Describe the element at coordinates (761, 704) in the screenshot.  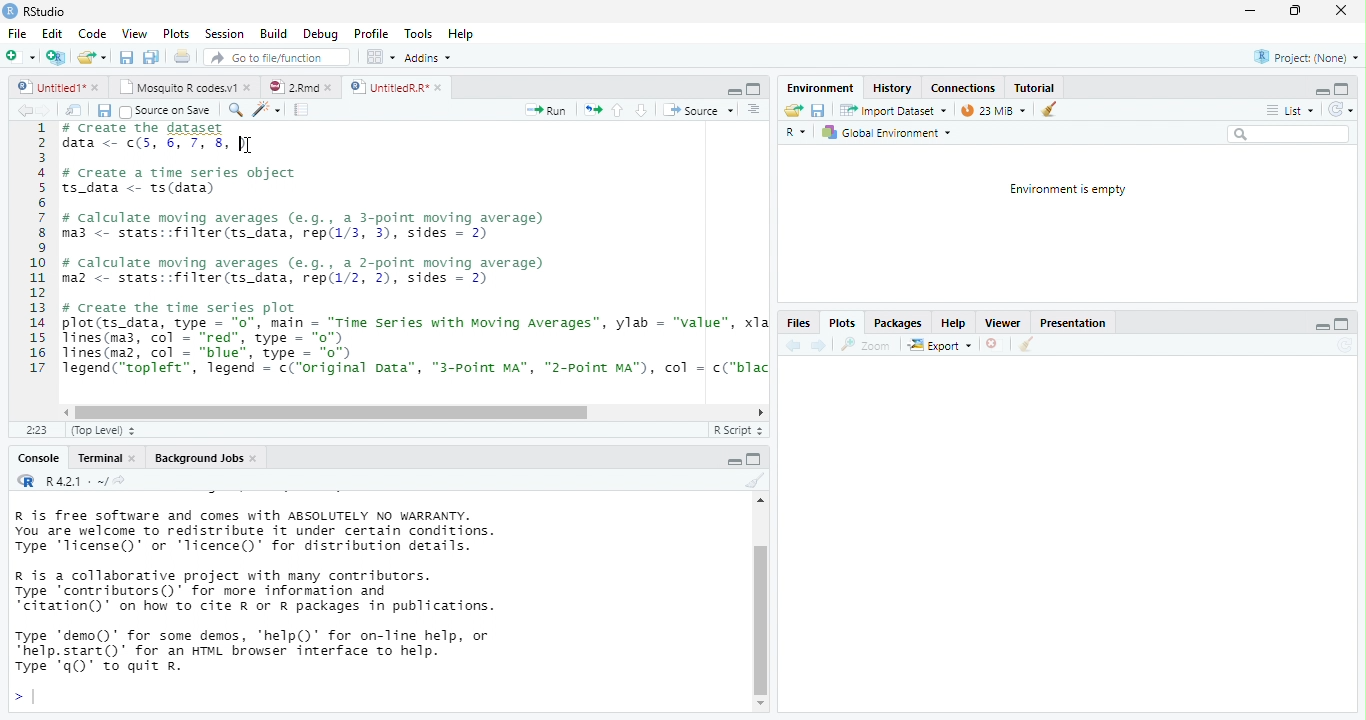
I see `scrollbar down` at that location.